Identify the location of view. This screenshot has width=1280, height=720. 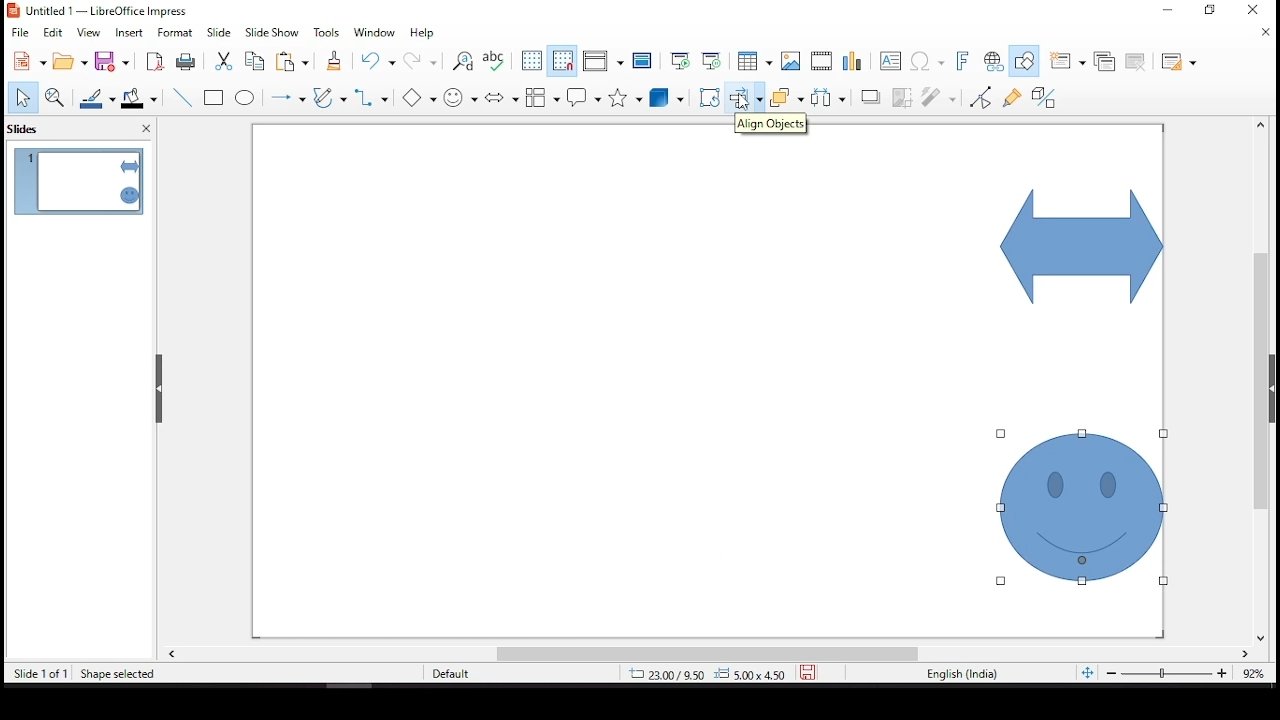
(91, 34).